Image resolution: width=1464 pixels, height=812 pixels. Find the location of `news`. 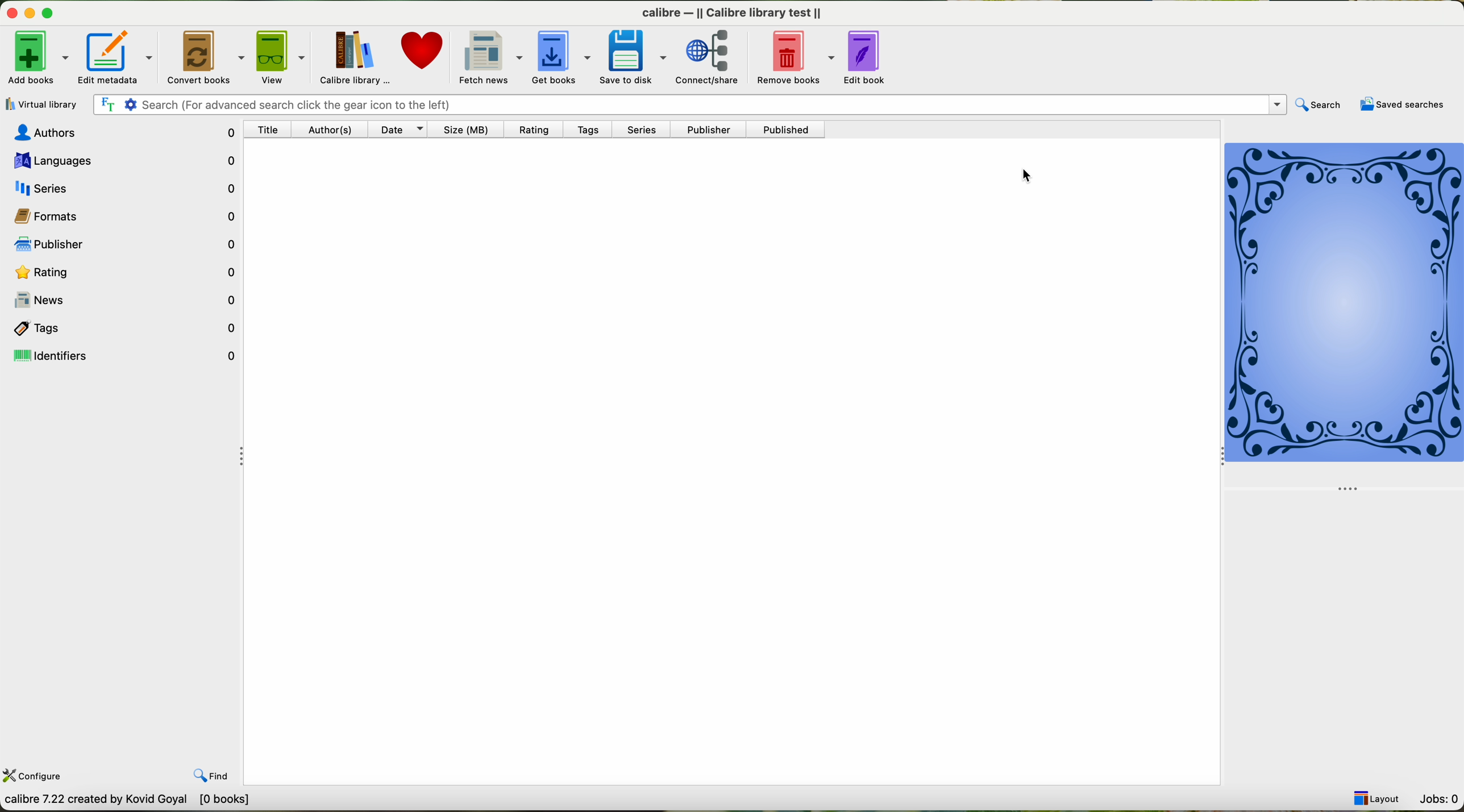

news is located at coordinates (121, 300).